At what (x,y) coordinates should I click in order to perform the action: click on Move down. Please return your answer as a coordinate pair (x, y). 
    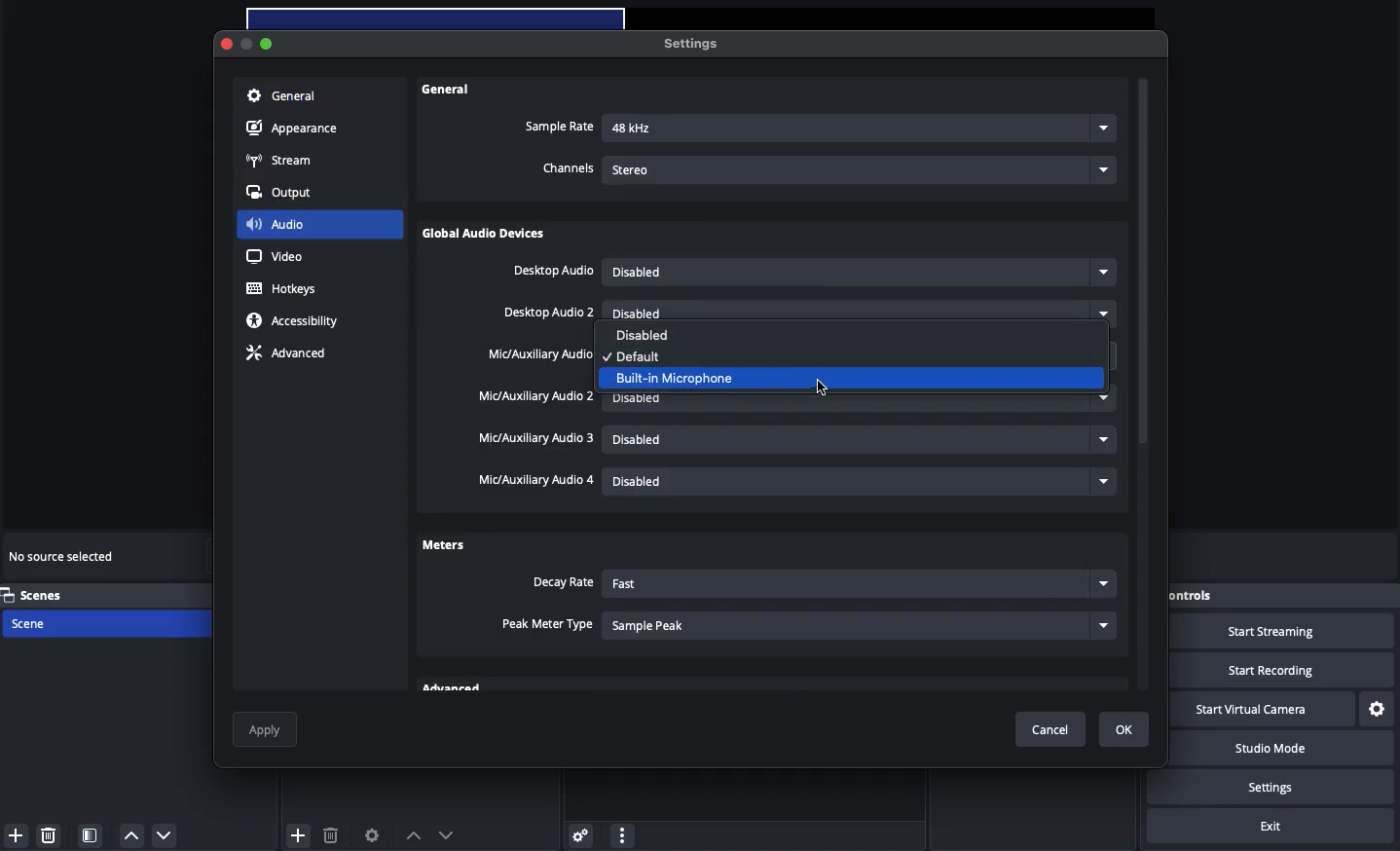
    Looking at the image, I should click on (446, 834).